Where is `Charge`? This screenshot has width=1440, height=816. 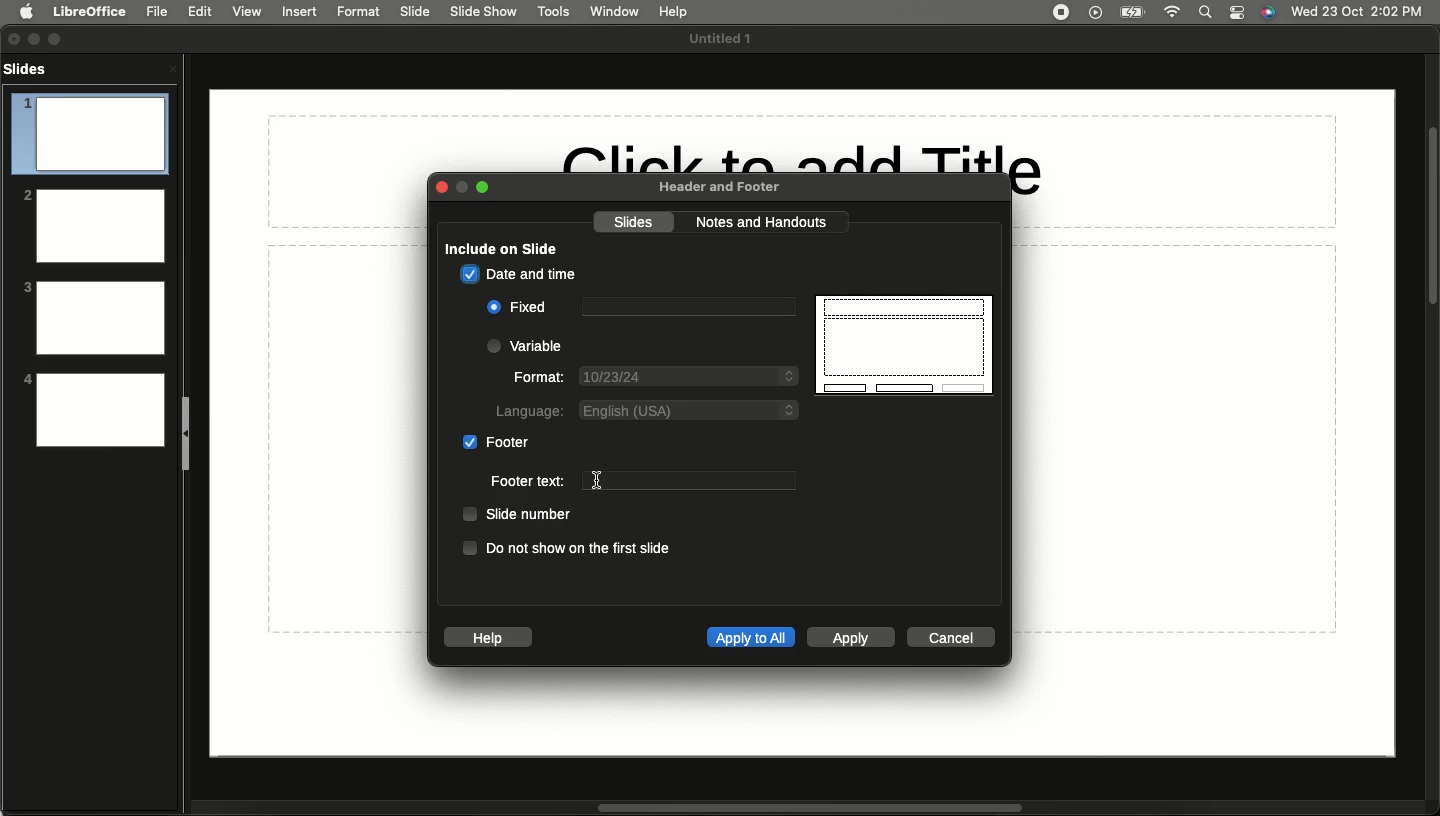
Charge is located at coordinates (1132, 12).